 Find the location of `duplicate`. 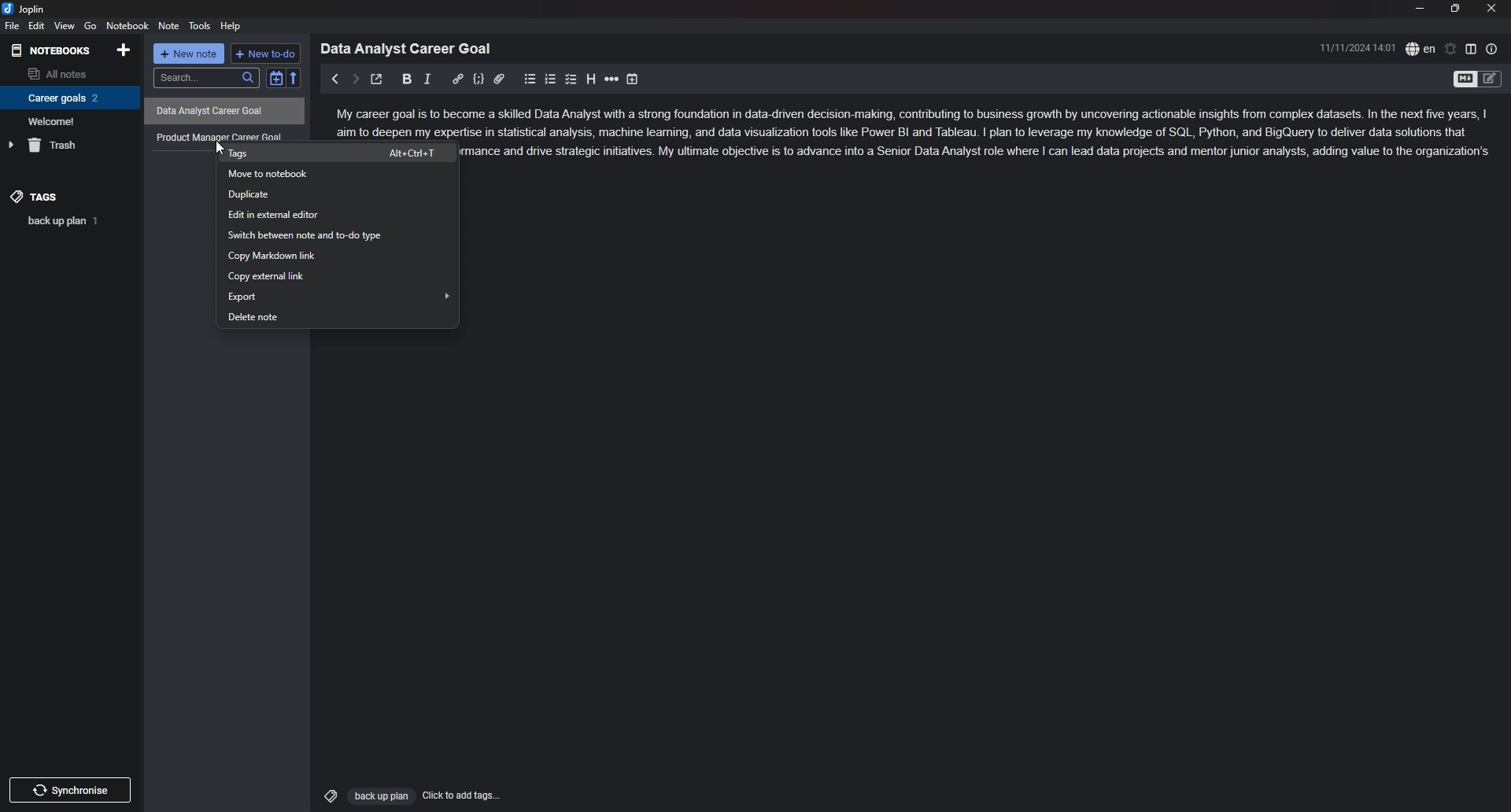

duplicate is located at coordinates (336, 194).